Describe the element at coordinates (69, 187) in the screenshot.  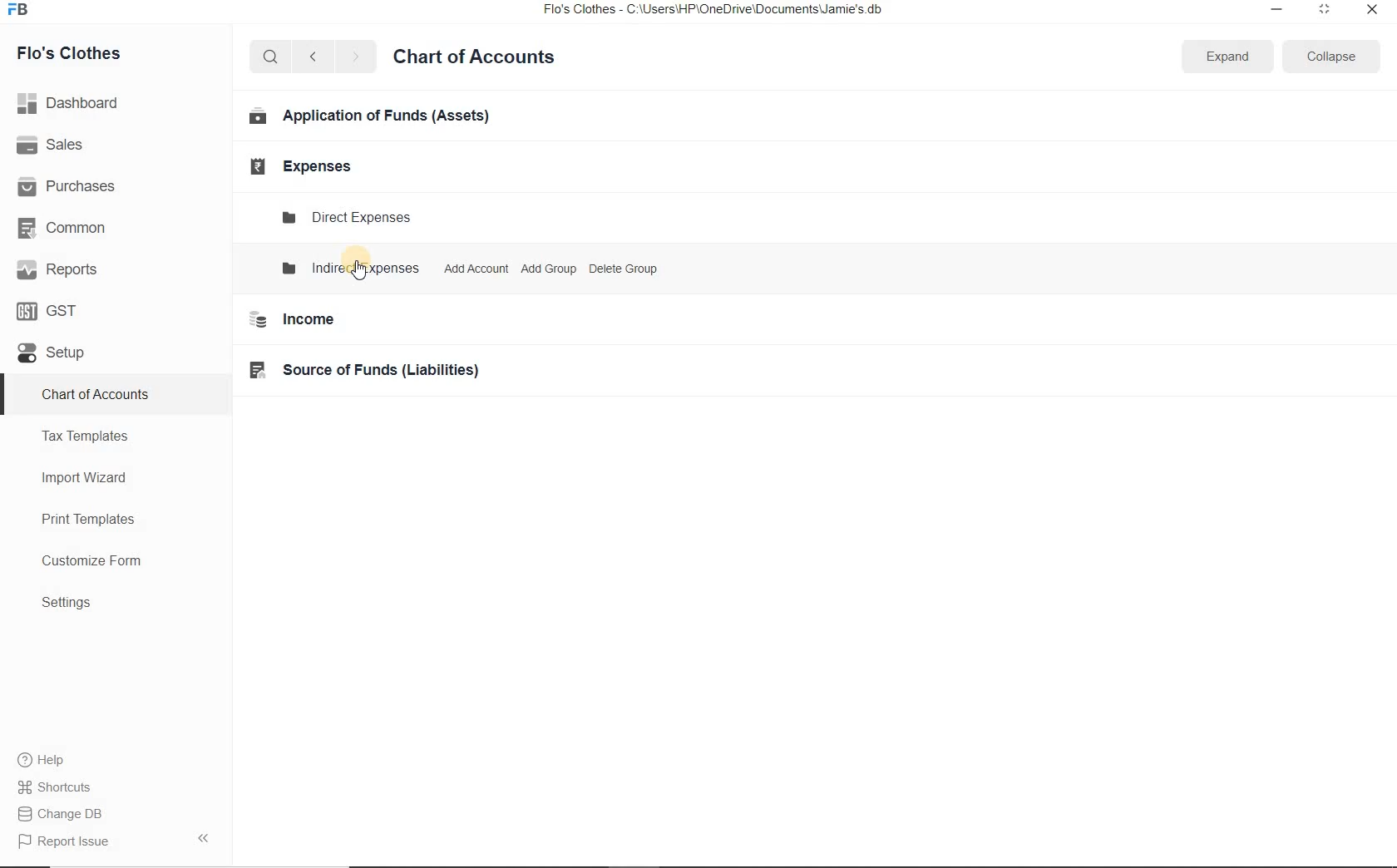
I see `Purchases` at that location.